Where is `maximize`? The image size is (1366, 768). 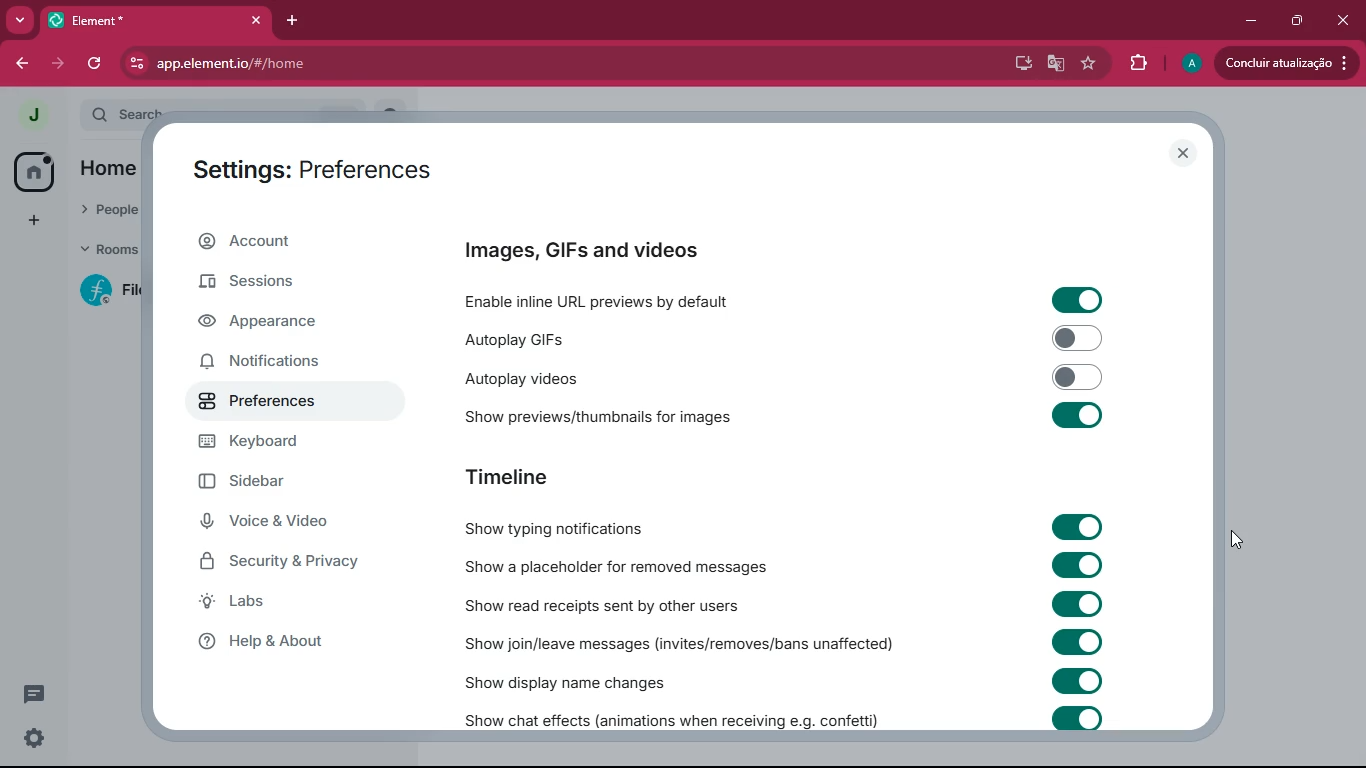
maximize is located at coordinates (1297, 20).